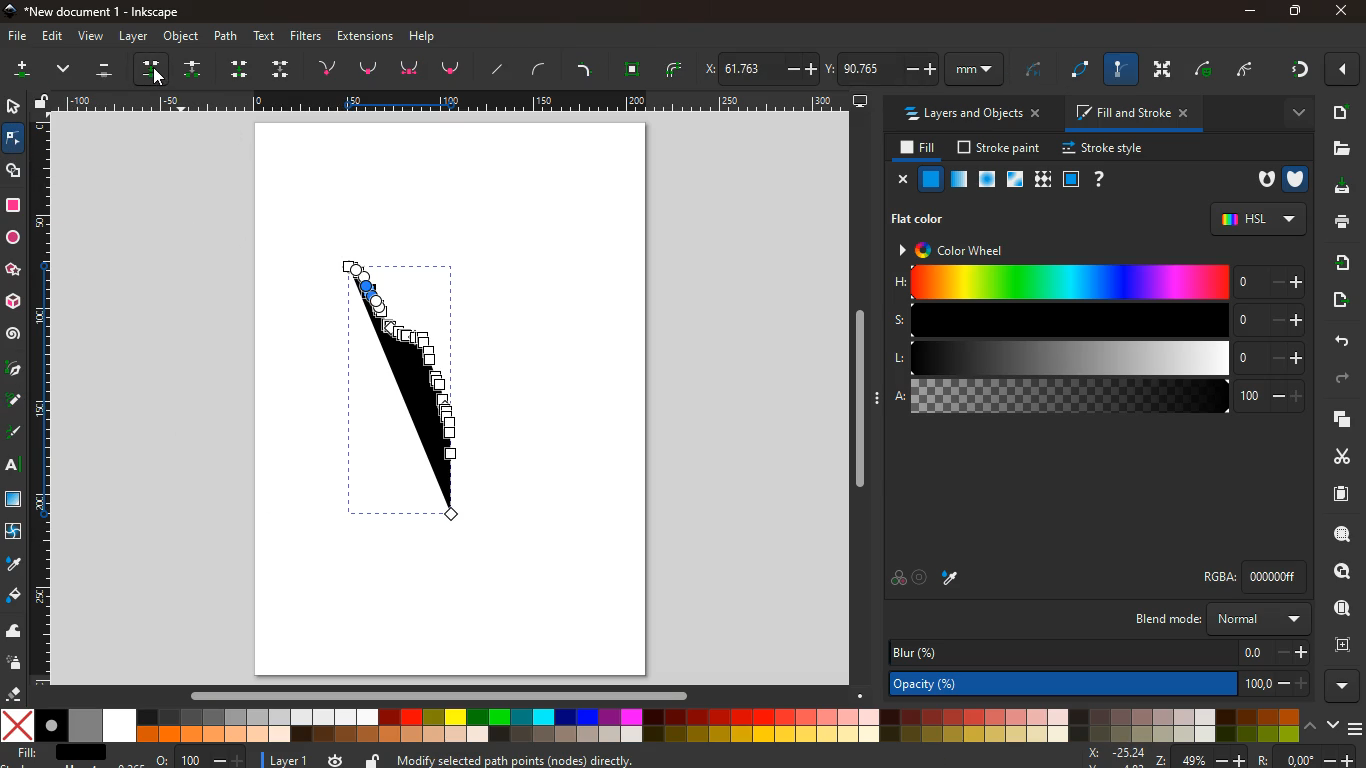 The image size is (1366, 768). I want to click on twist, so click(15, 532).